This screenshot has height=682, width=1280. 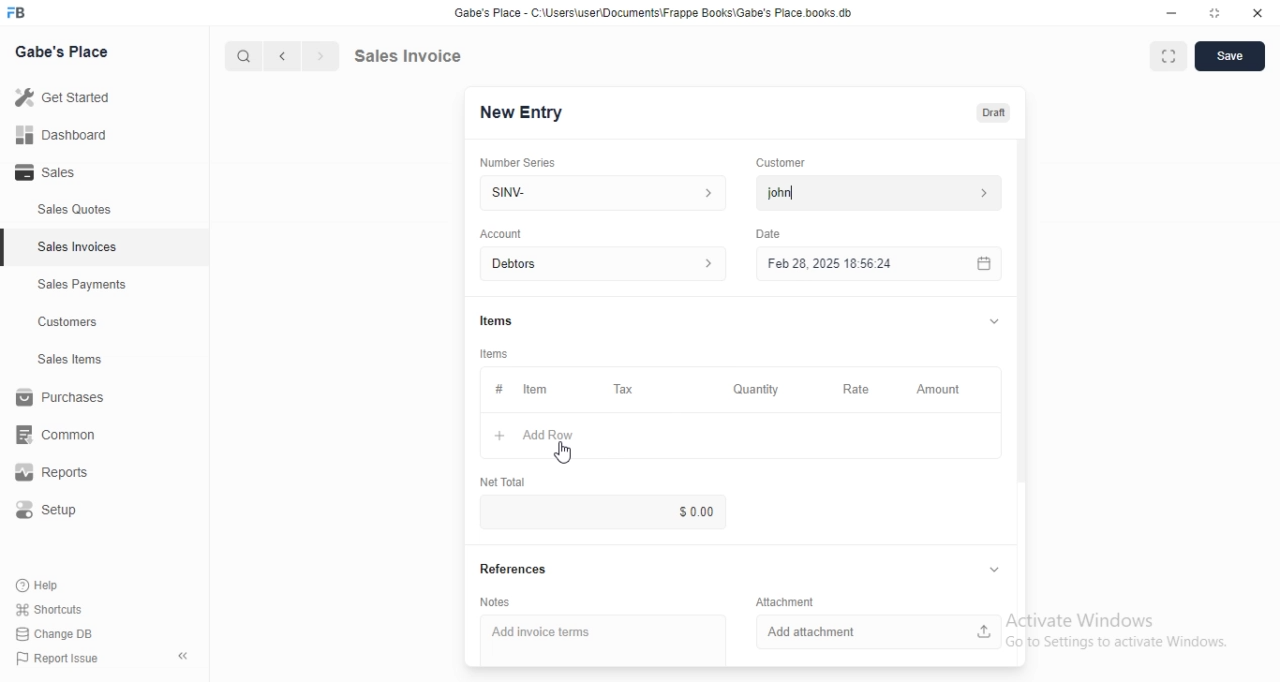 What do you see at coordinates (528, 112) in the screenshot?
I see `New Entry` at bounding box center [528, 112].